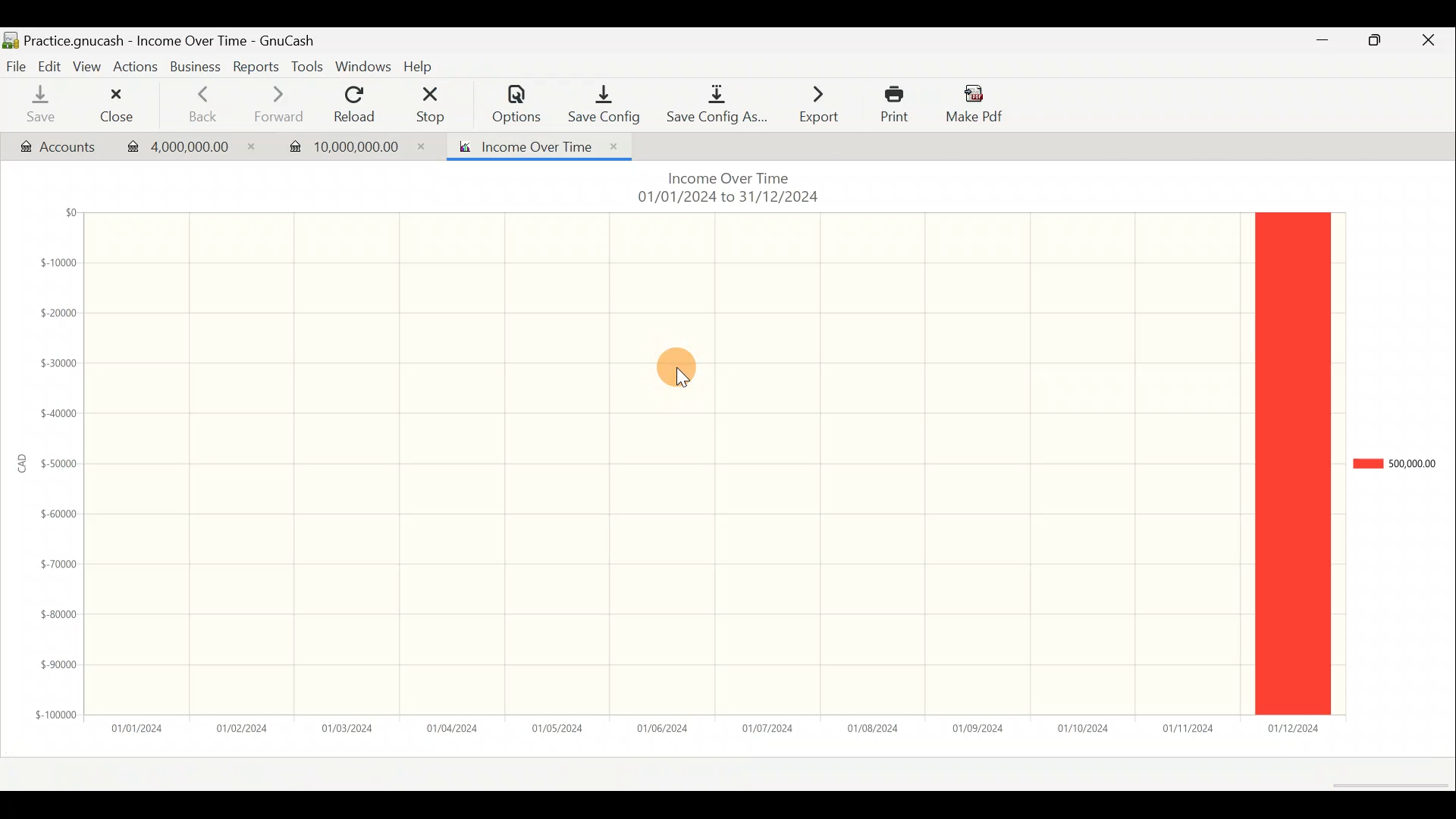  Describe the element at coordinates (431, 104) in the screenshot. I see `Stop` at that location.